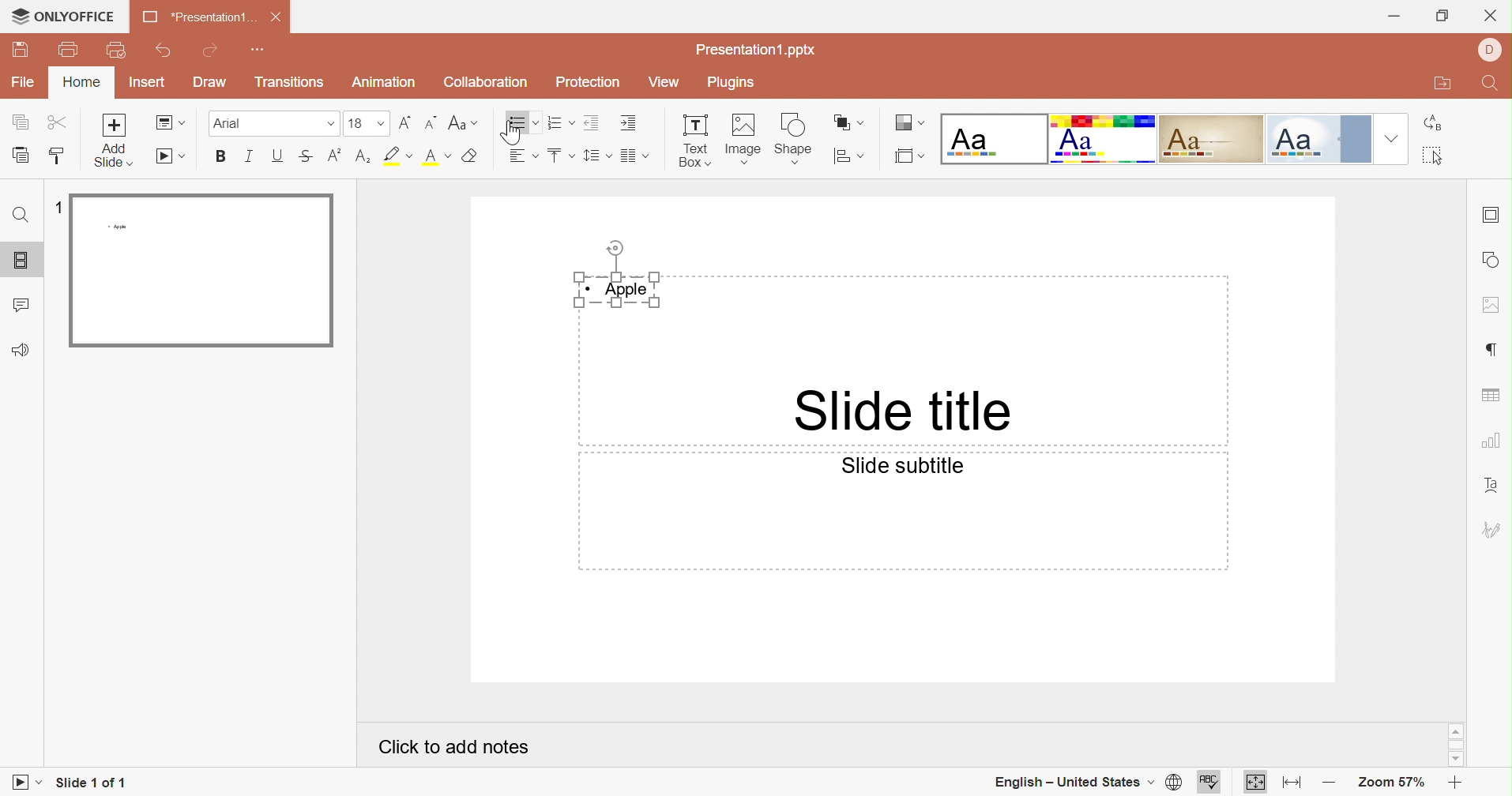  What do you see at coordinates (1460, 760) in the screenshot?
I see `Scroll Down` at bounding box center [1460, 760].